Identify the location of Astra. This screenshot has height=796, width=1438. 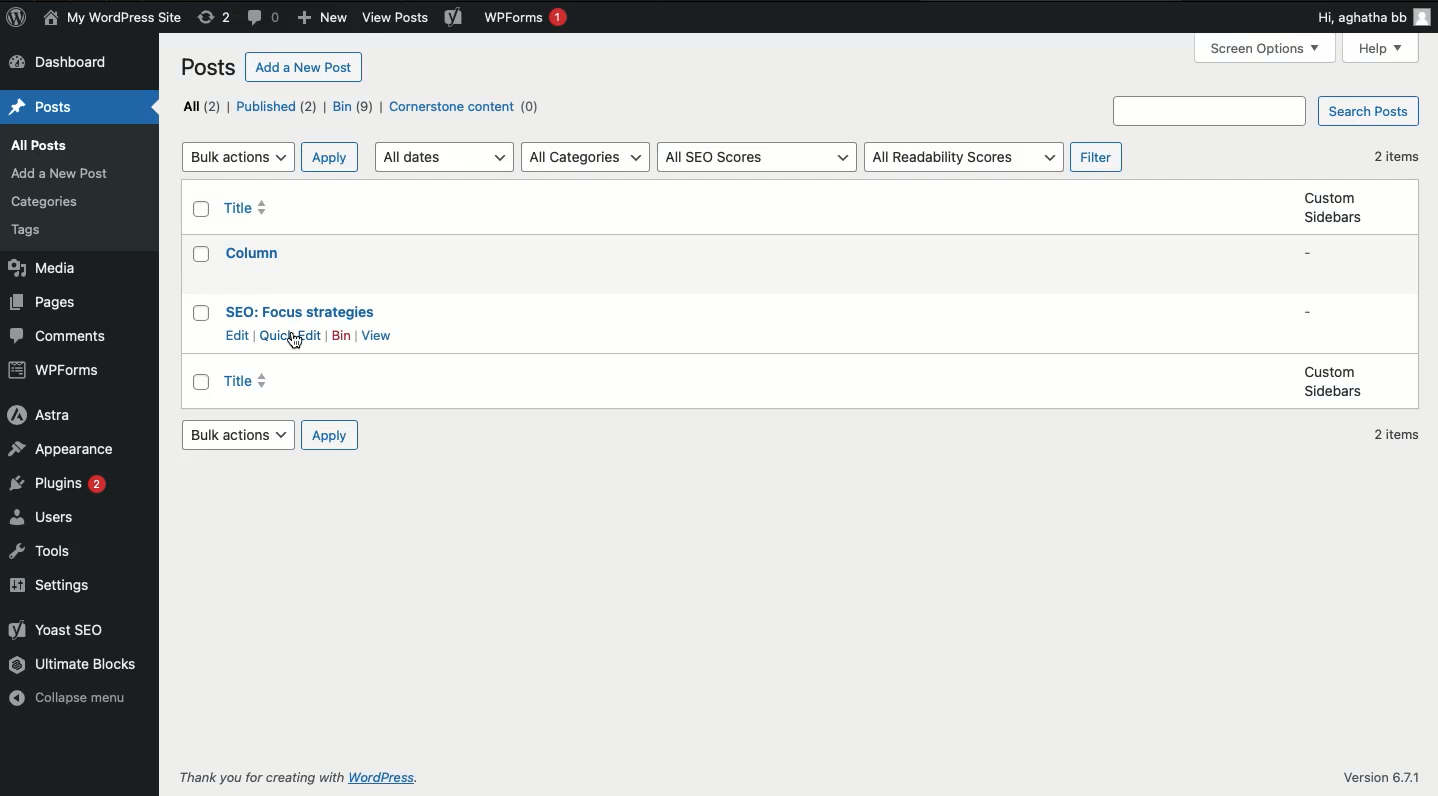
(39, 414).